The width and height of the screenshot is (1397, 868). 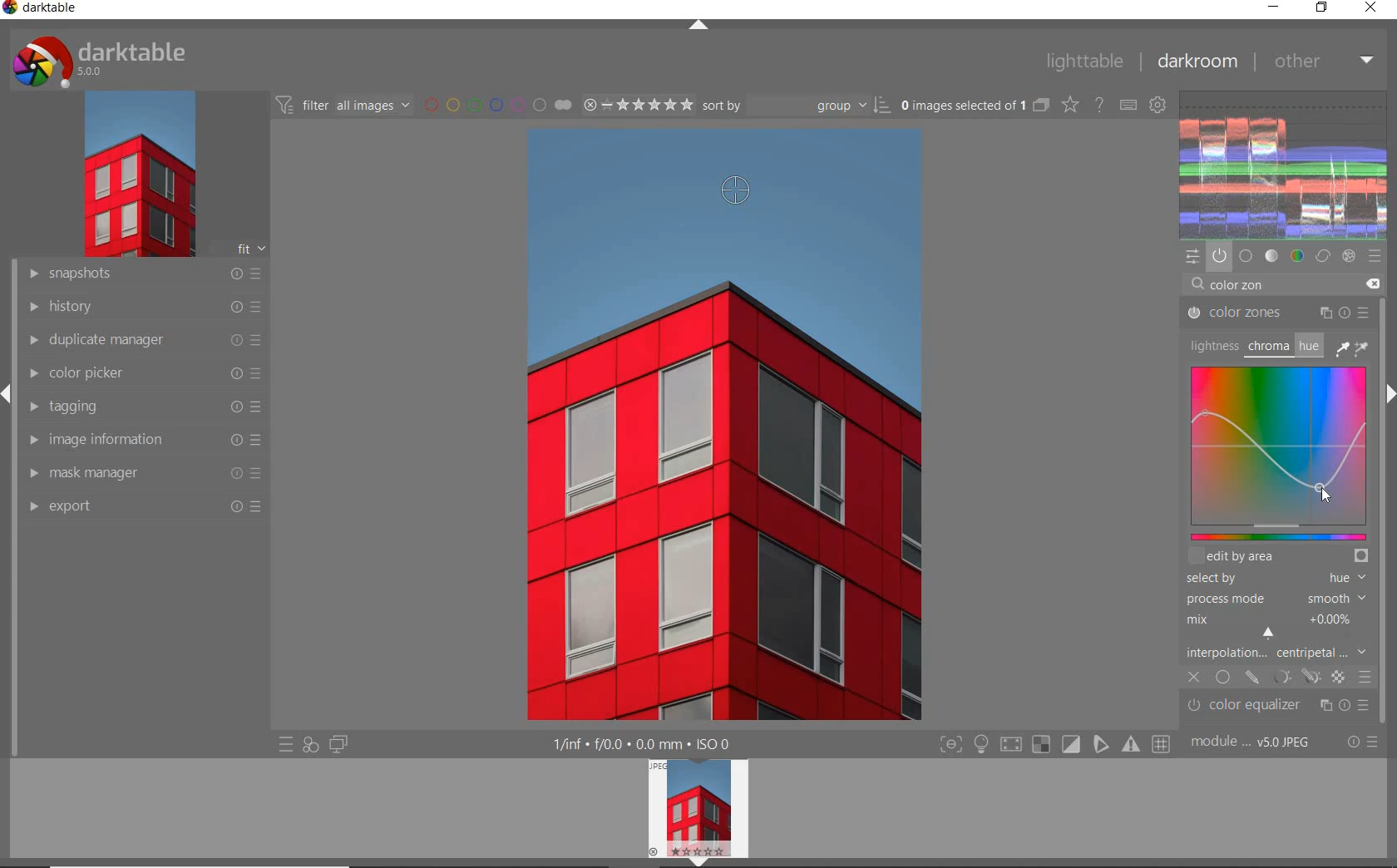 What do you see at coordinates (1212, 345) in the screenshot?
I see `LIGHTNESS` at bounding box center [1212, 345].